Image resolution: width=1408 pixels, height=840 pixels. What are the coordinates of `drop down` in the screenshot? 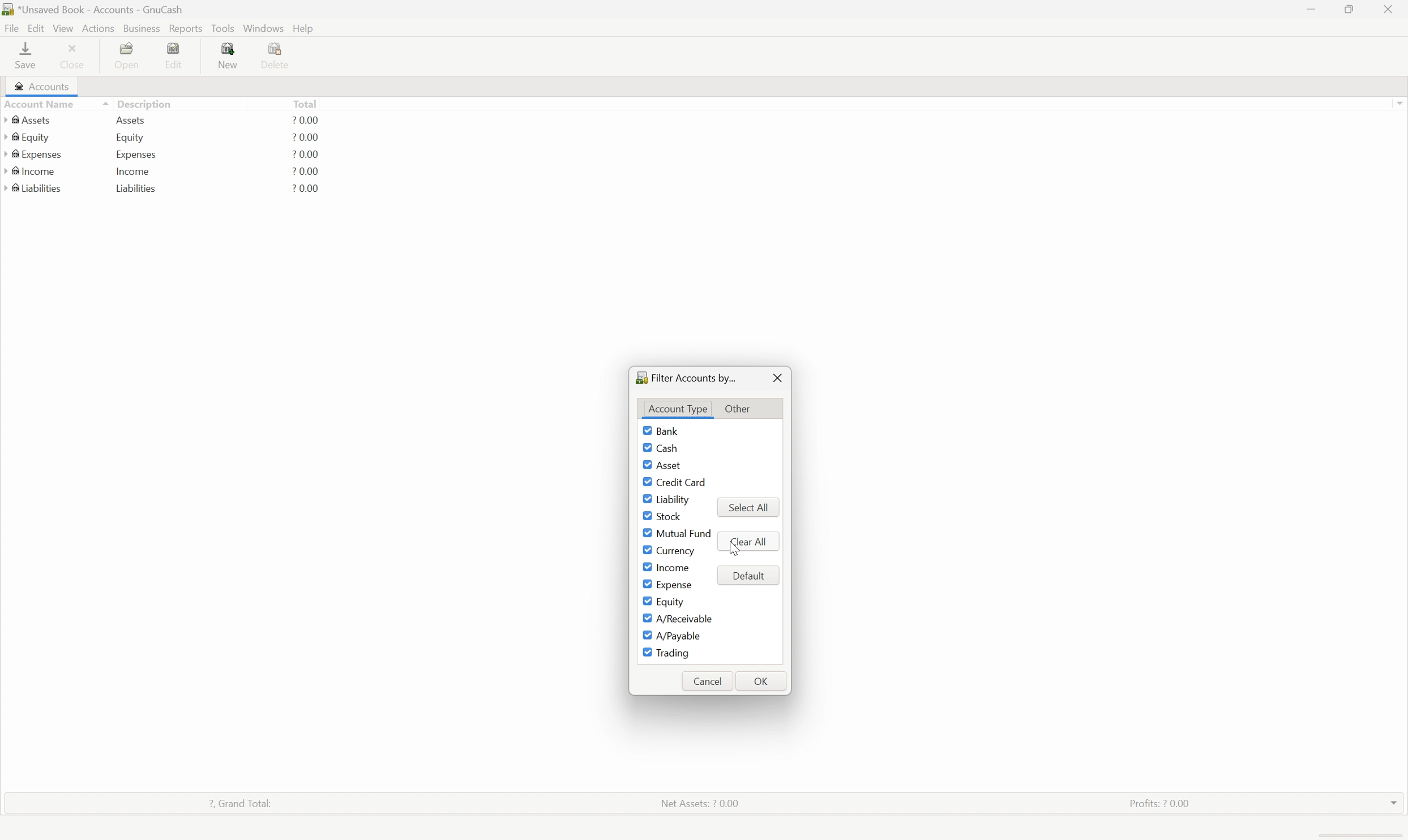 It's located at (1390, 803).